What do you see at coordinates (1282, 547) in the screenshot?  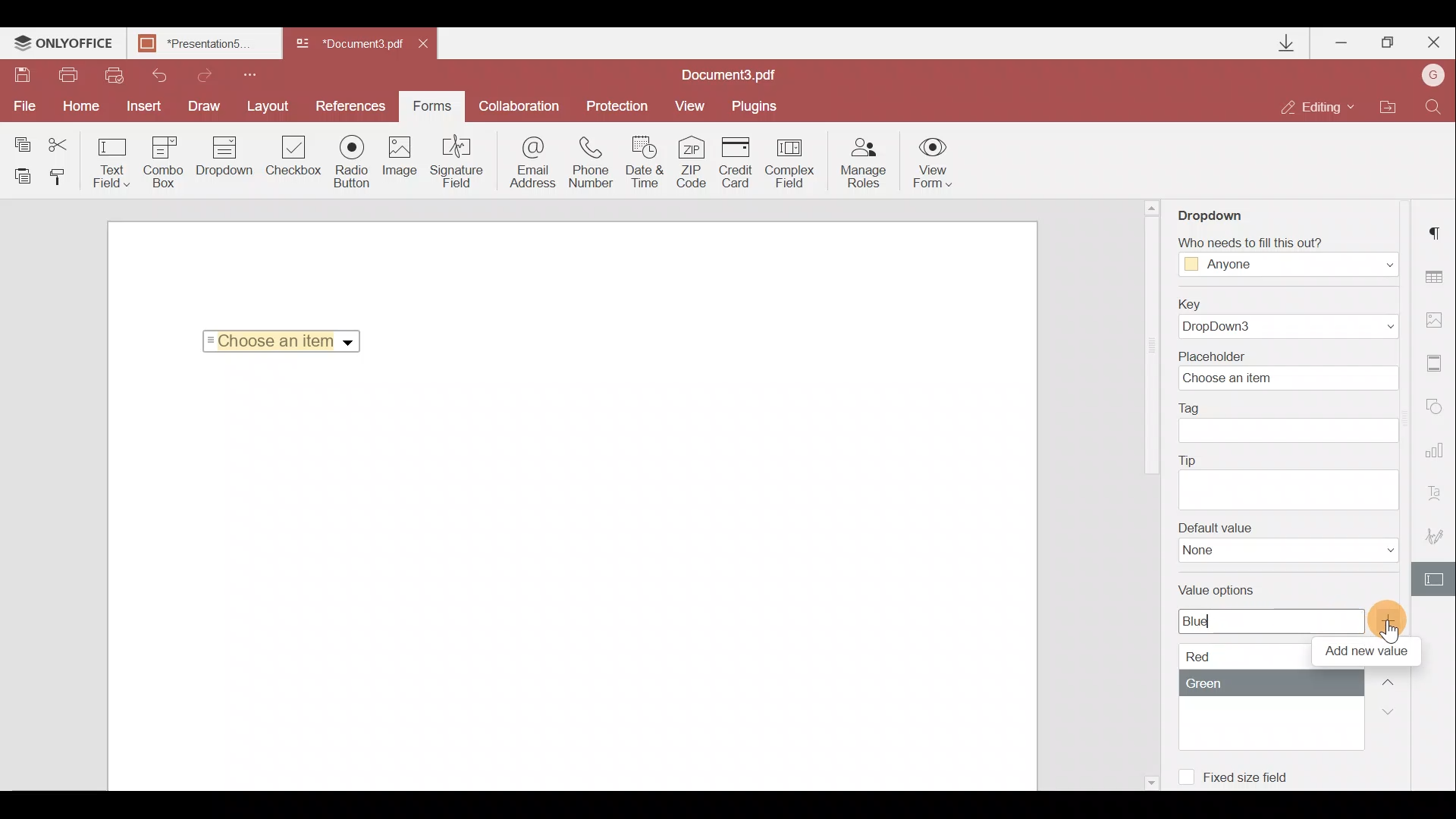 I see `Default value` at bounding box center [1282, 547].